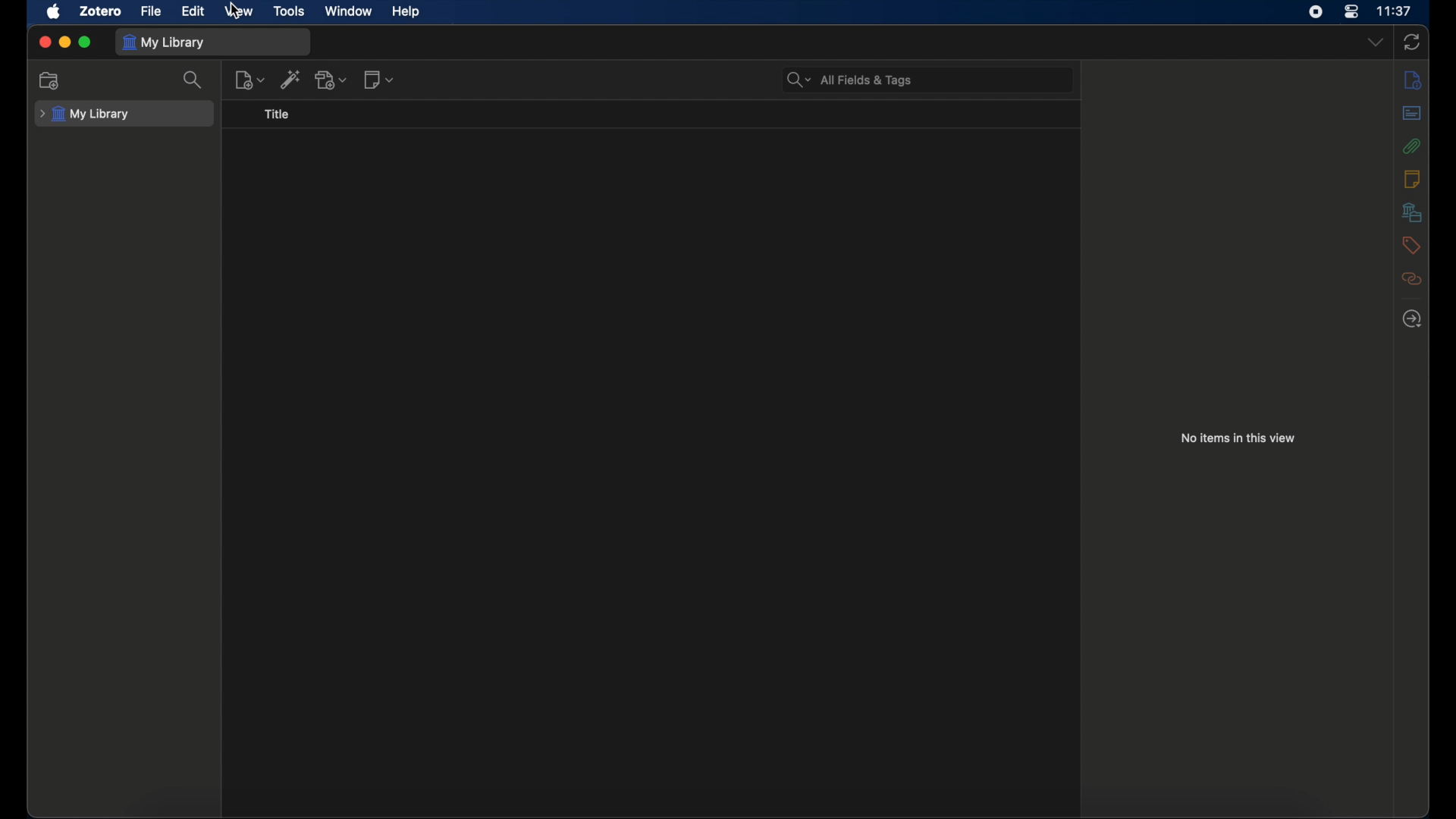 The image size is (1456, 819). What do you see at coordinates (193, 11) in the screenshot?
I see `edit` at bounding box center [193, 11].